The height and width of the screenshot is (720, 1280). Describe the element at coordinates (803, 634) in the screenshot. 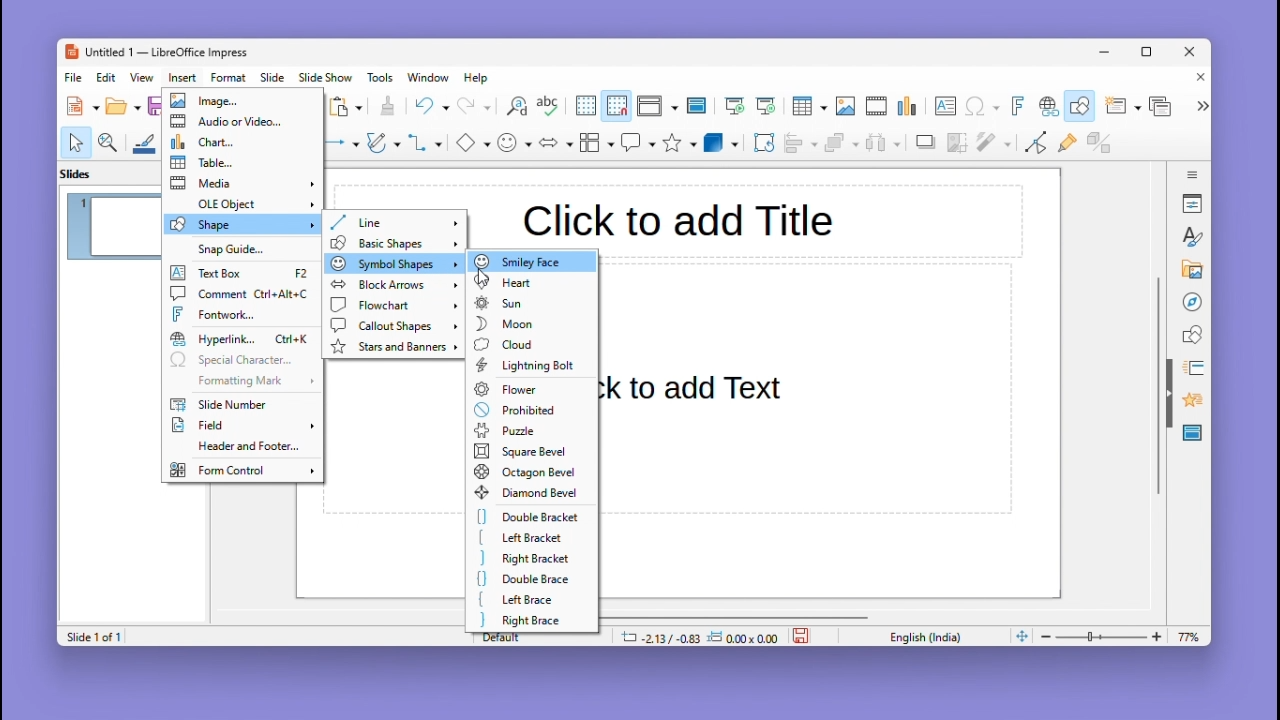

I see `save` at that location.